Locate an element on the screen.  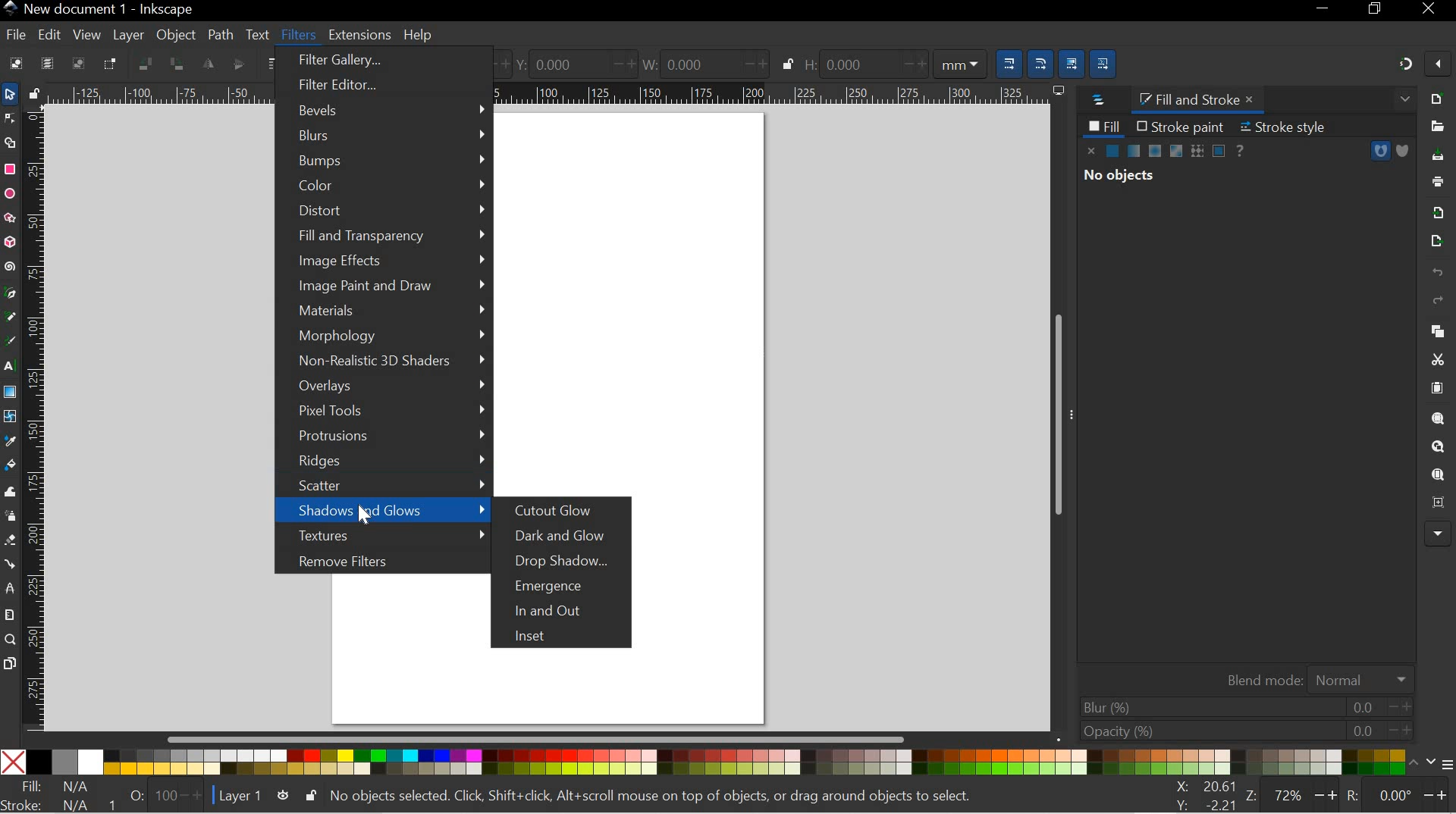
MINIMIZE is located at coordinates (1323, 11).